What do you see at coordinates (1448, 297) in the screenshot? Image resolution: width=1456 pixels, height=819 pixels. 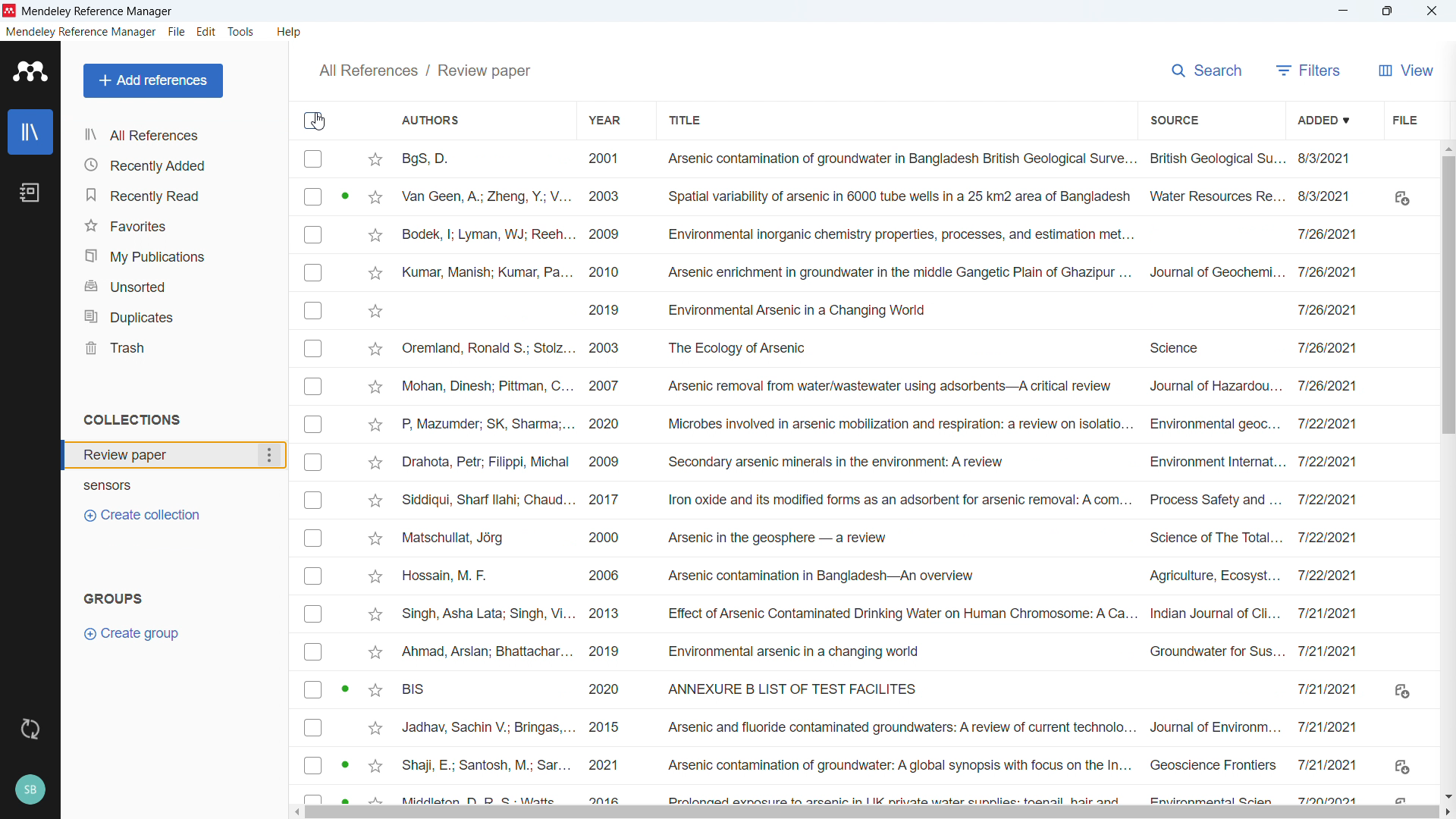 I see `Vertical scroll bar ` at bounding box center [1448, 297].